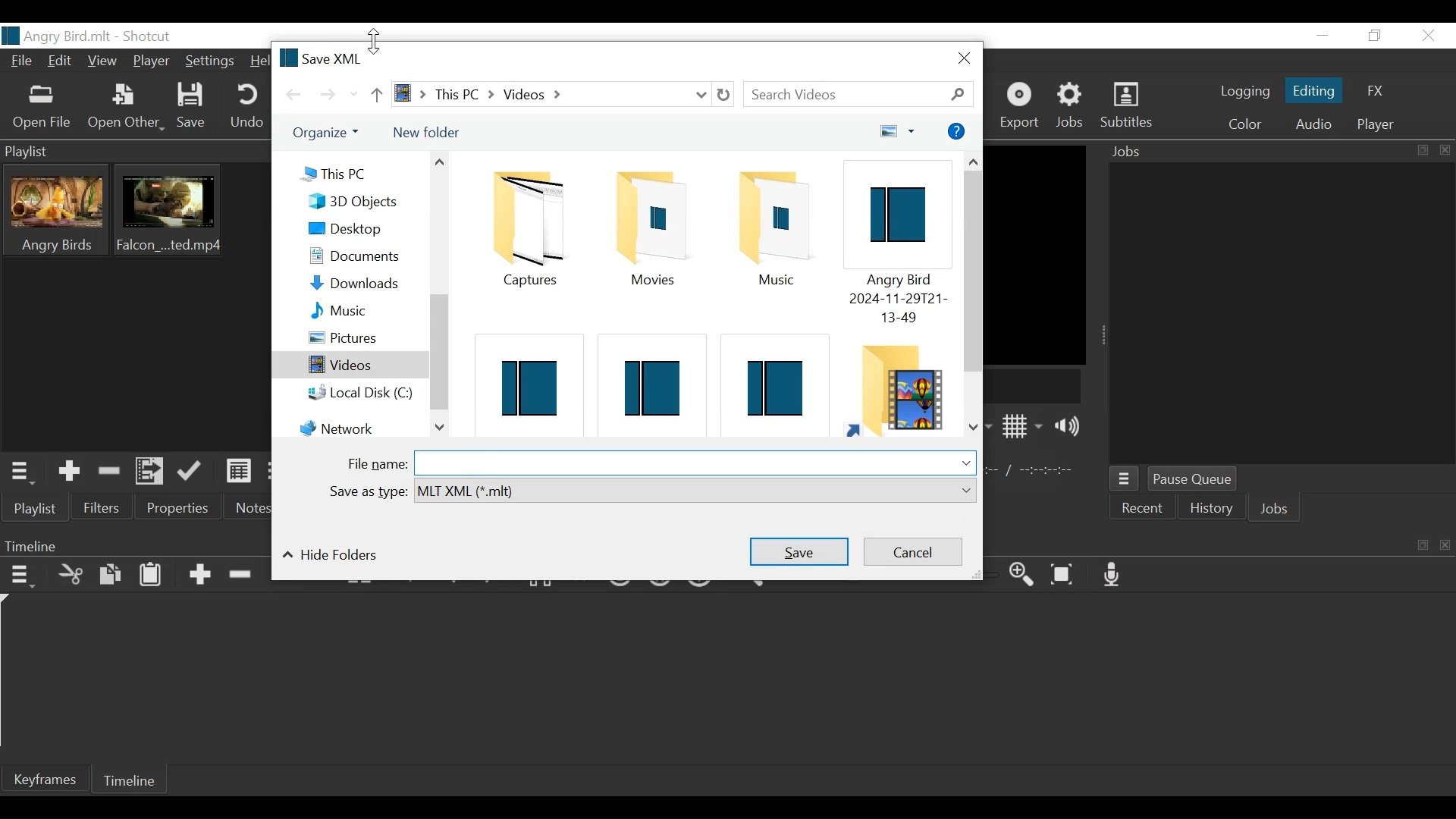 The height and width of the screenshot is (819, 1456). I want to click on In point, so click(1036, 469).